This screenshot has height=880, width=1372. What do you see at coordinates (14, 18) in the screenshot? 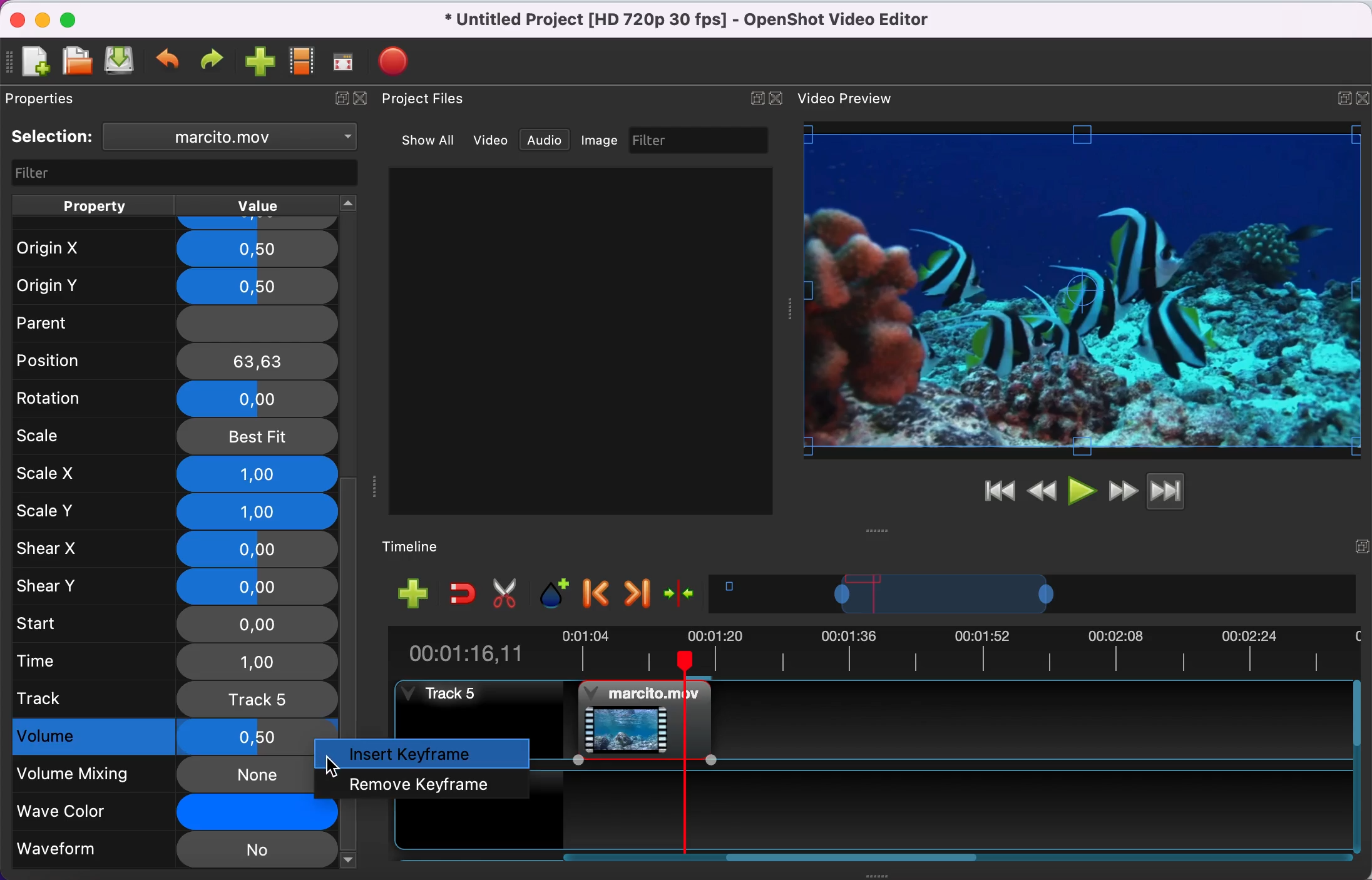
I see `close` at bounding box center [14, 18].